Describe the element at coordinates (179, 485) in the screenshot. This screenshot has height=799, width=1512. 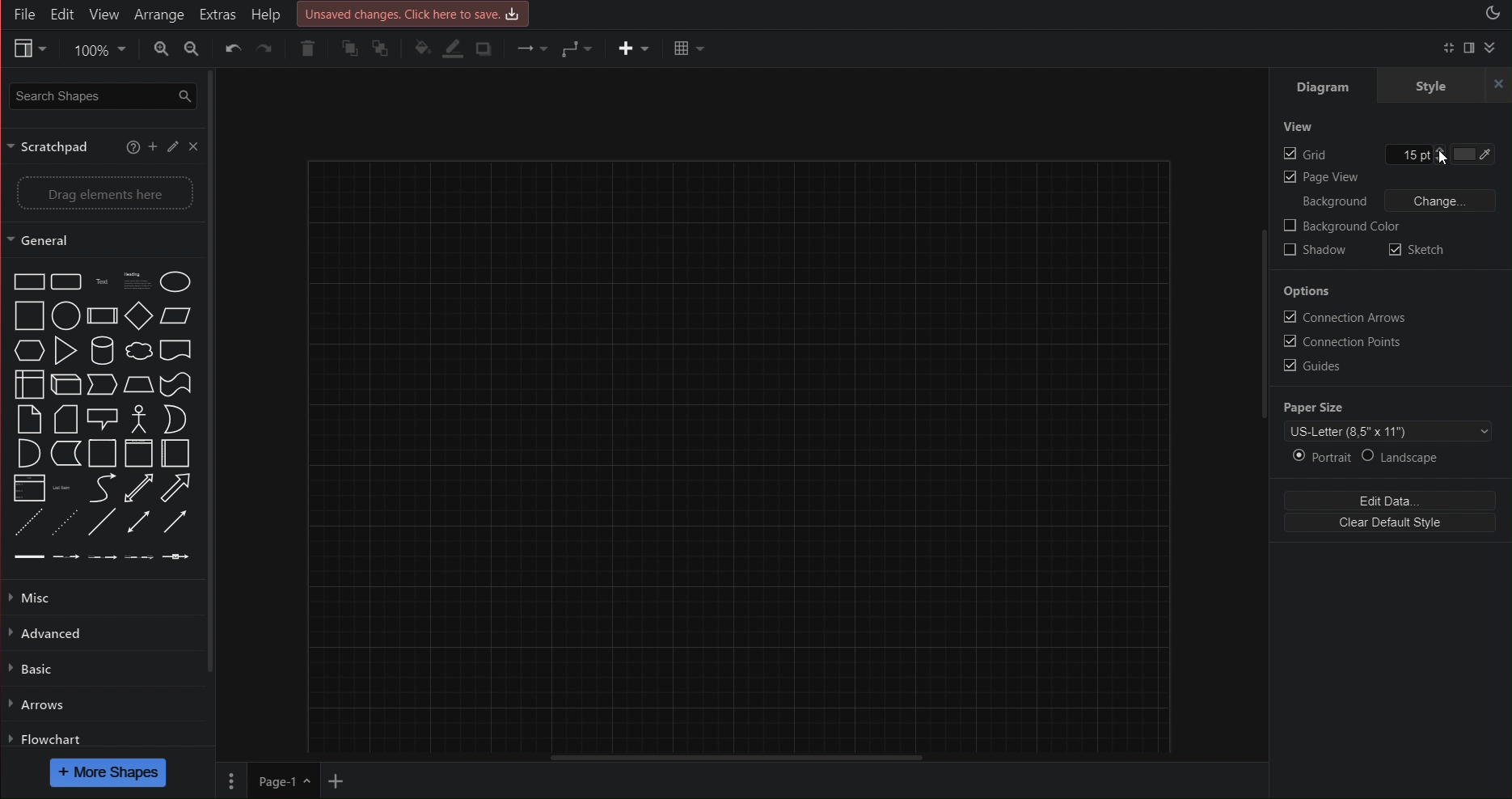
I see `single side arrow` at that location.